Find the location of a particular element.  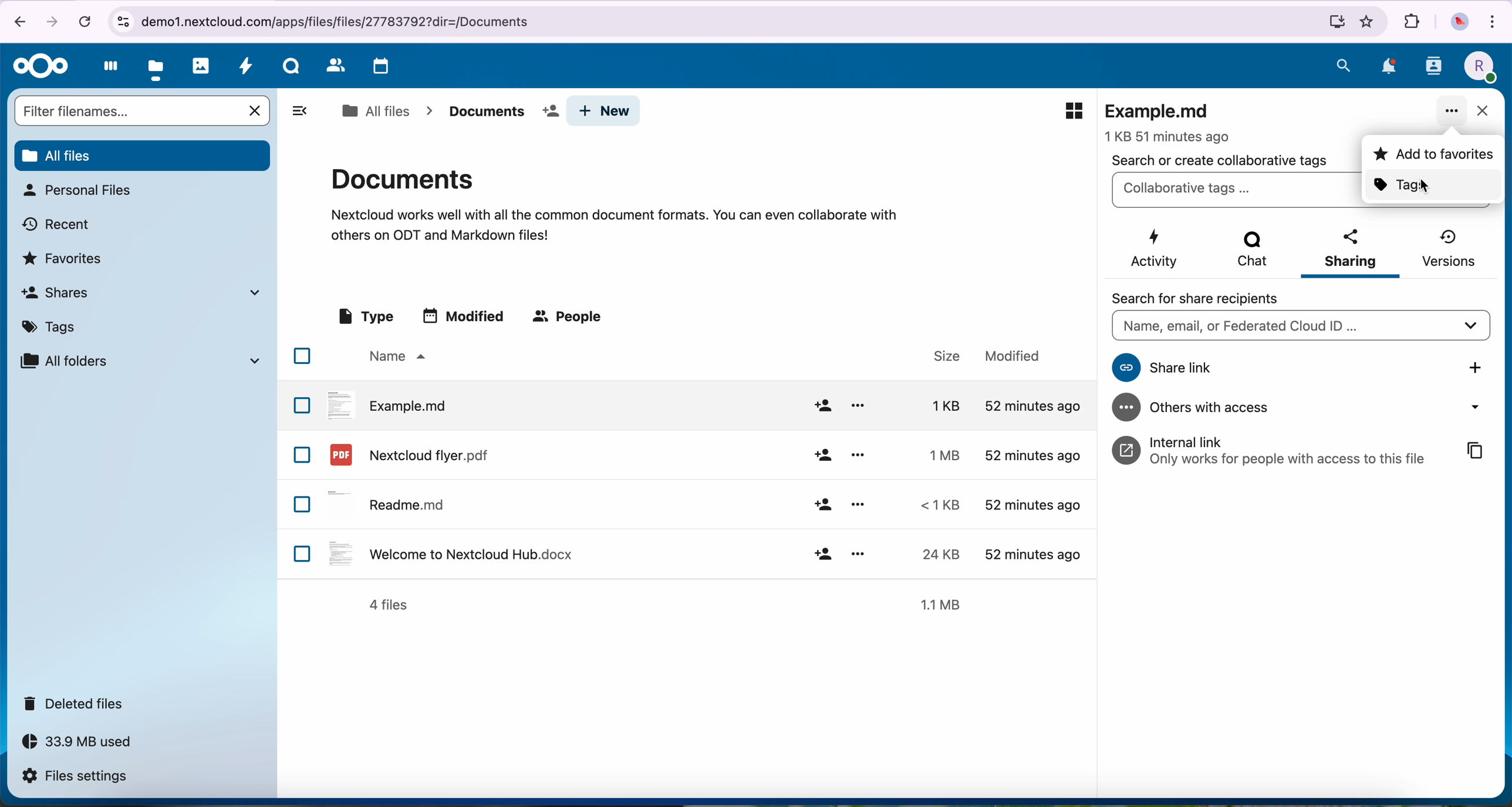

talk is located at coordinates (290, 69).